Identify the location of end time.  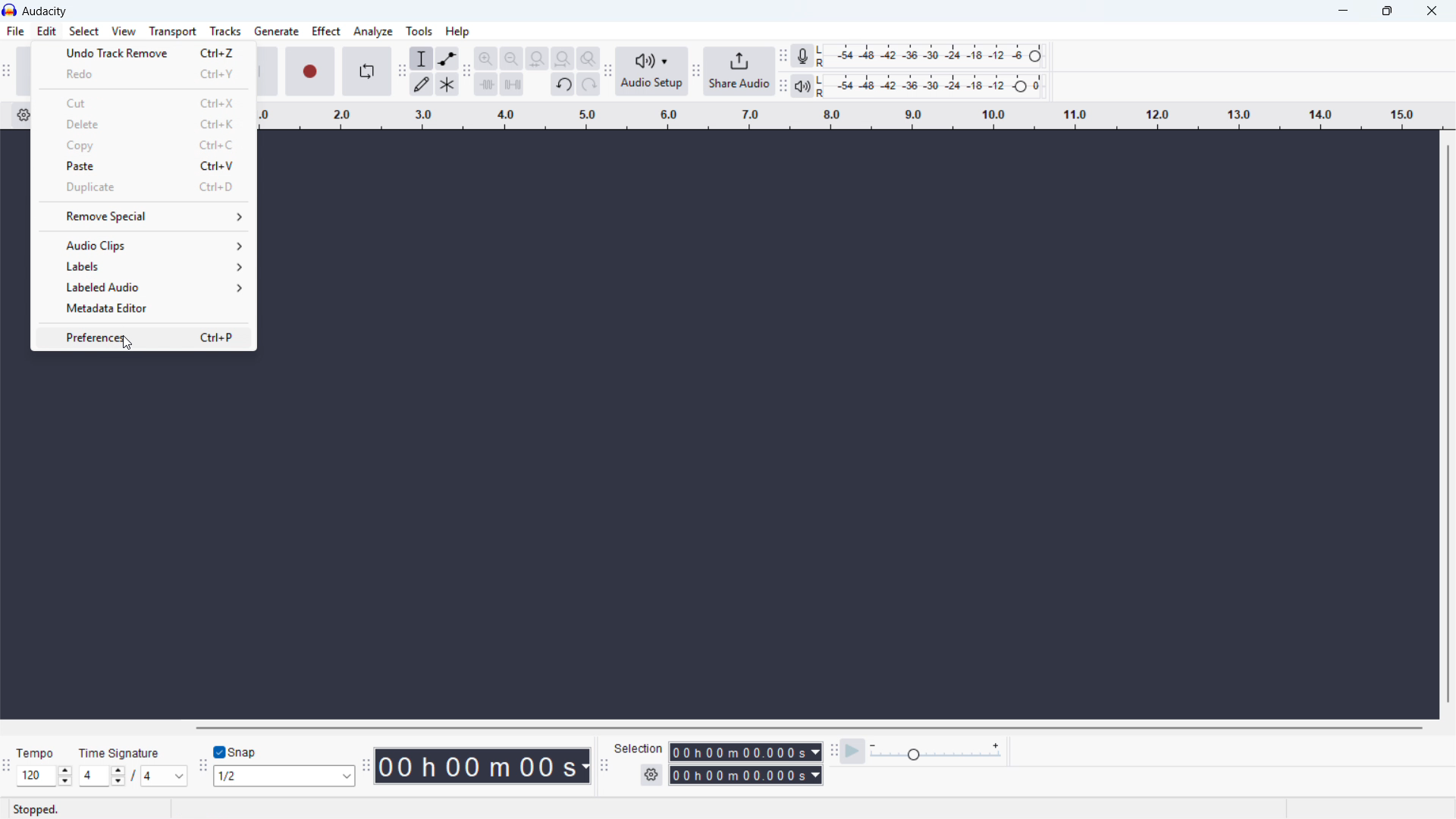
(746, 776).